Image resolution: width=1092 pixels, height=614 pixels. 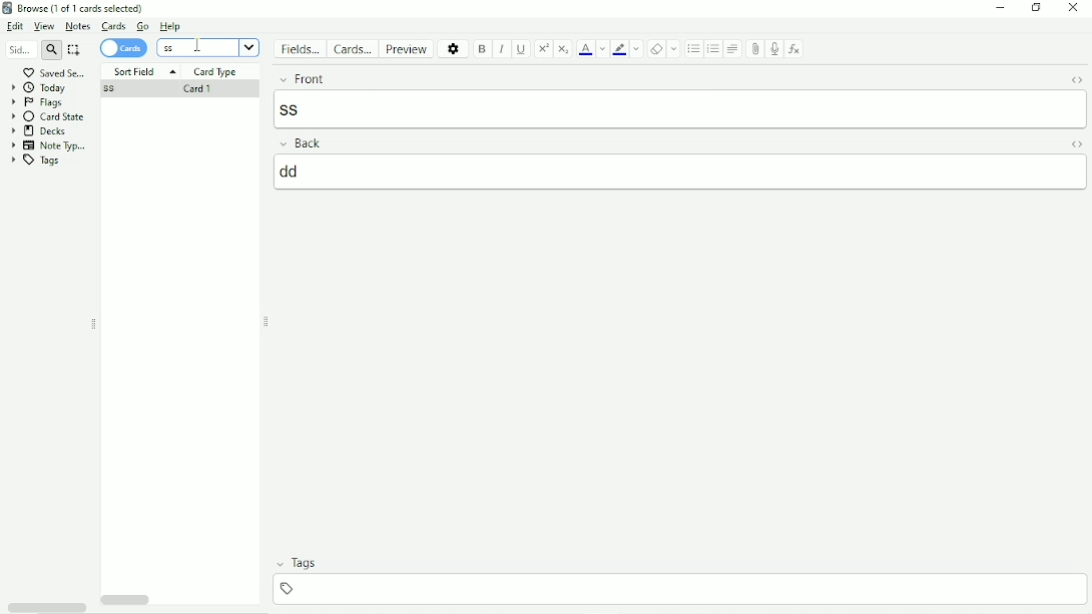 What do you see at coordinates (46, 26) in the screenshot?
I see `View` at bounding box center [46, 26].